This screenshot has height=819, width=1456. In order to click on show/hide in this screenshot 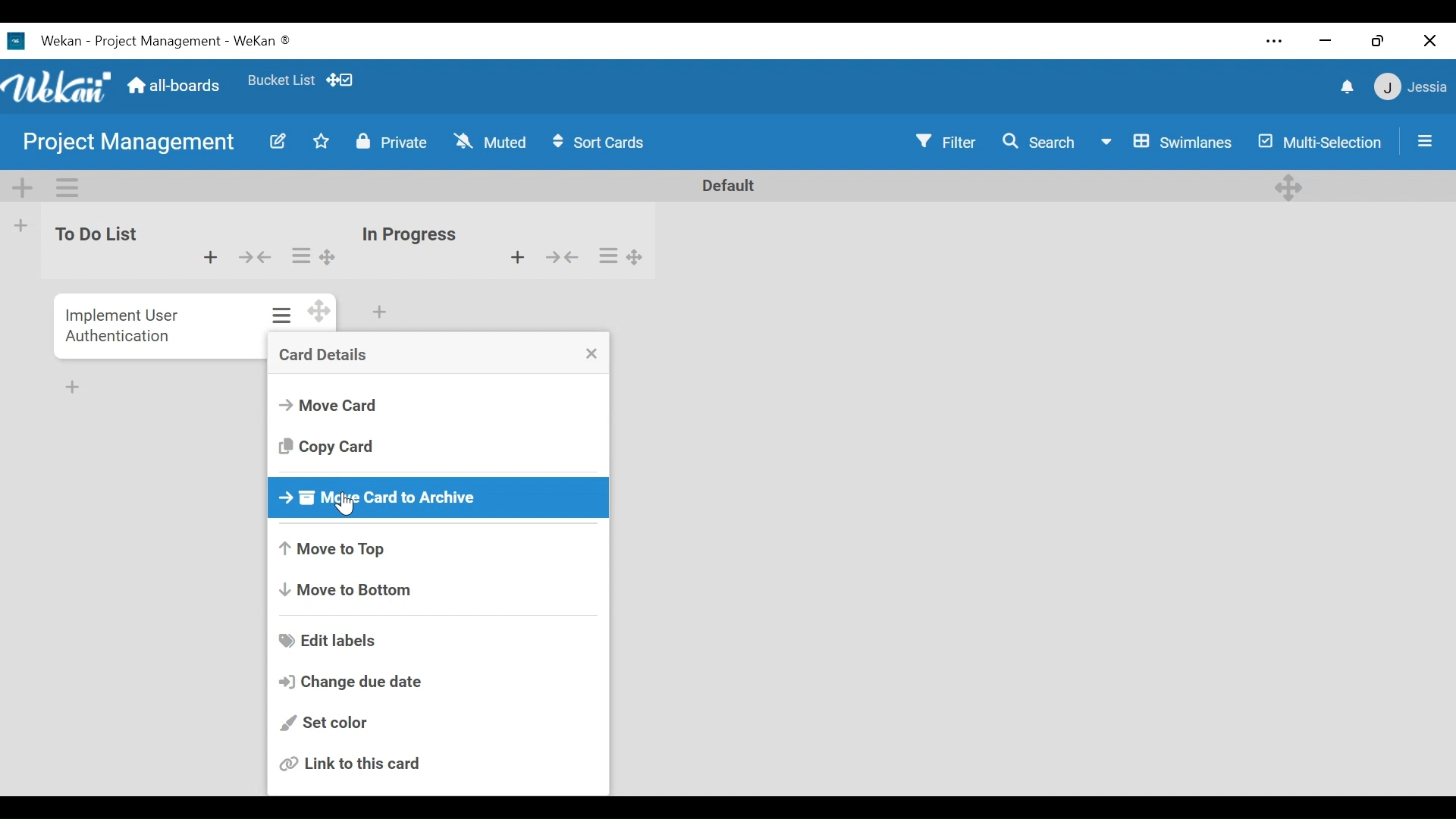, I will do `click(570, 260)`.